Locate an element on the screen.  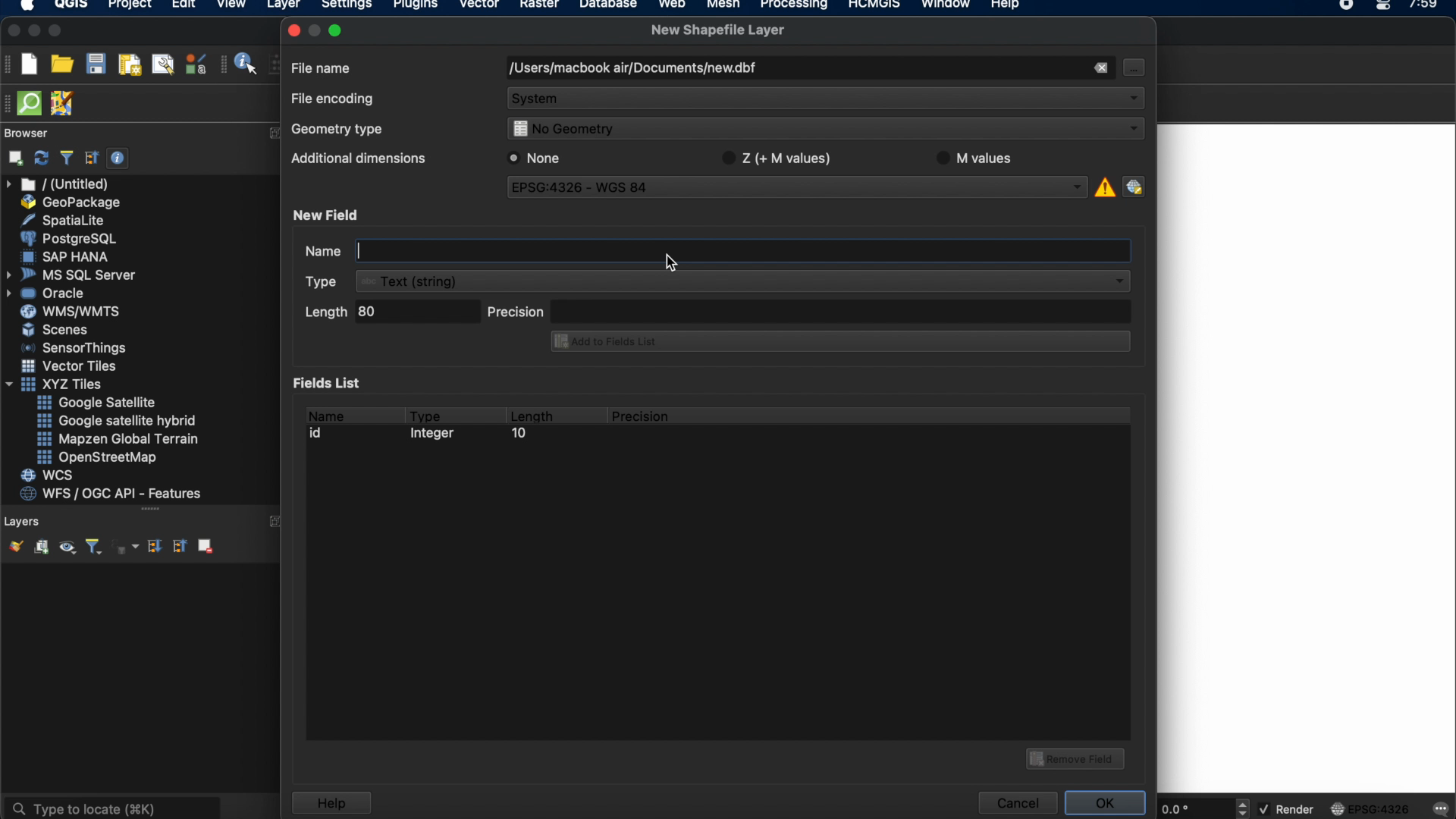
10 is located at coordinates (518, 435).